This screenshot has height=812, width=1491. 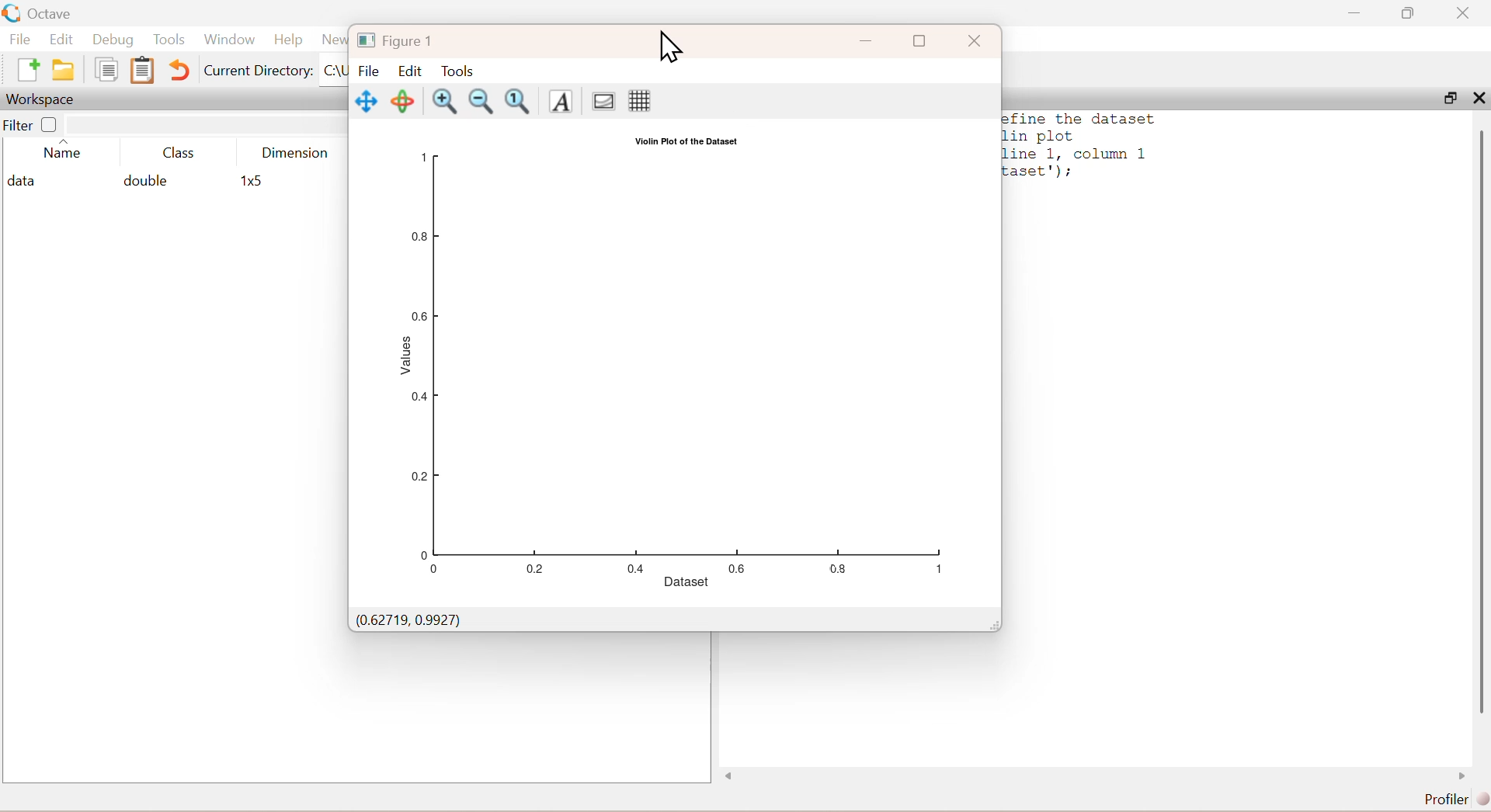 What do you see at coordinates (670, 47) in the screenshot?
I see `cursor` at bounding box center [670, 47].